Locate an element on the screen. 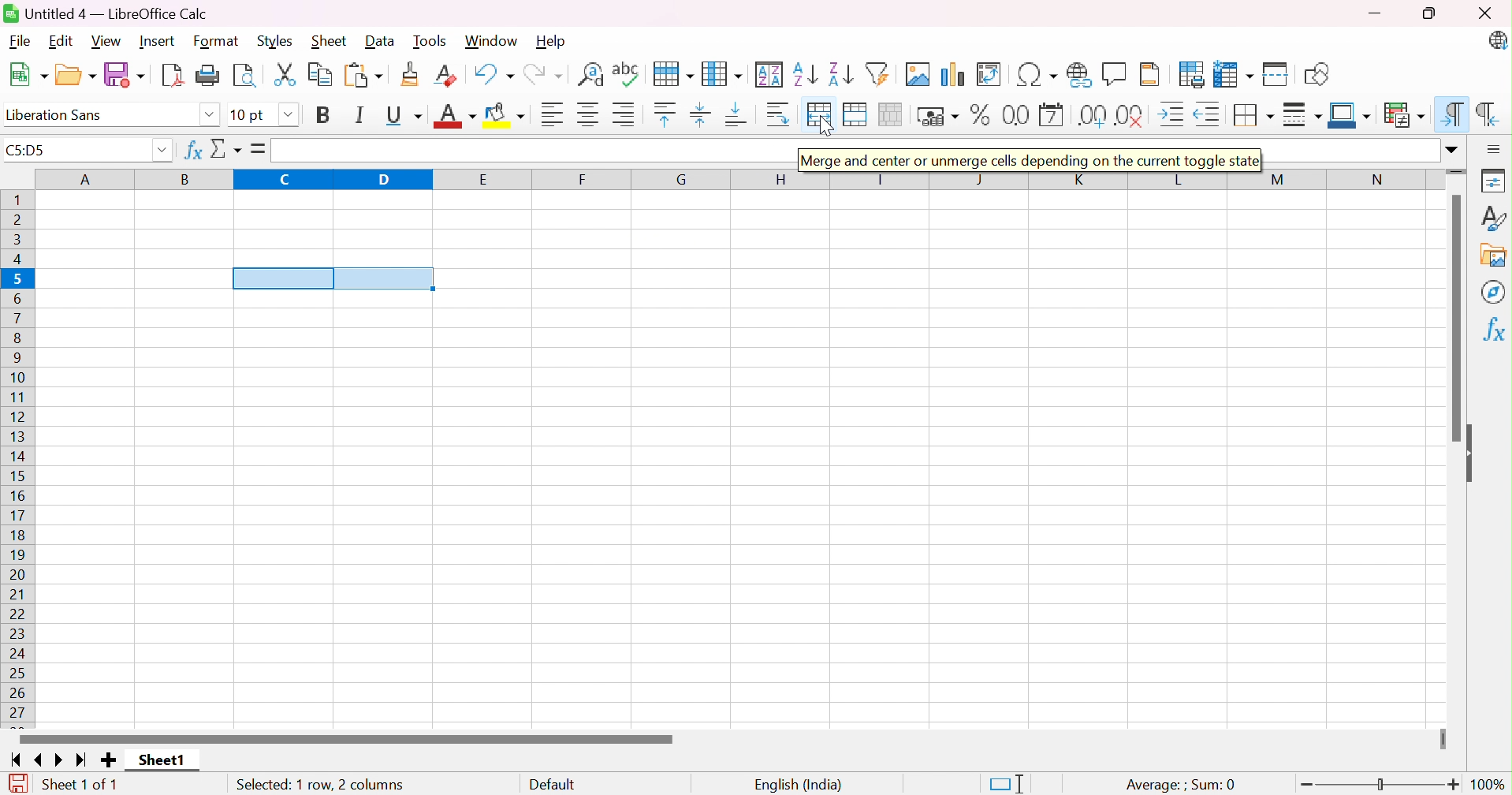 Image resolution: width=1512 pixels, height=795 pixels. Format as Date is located at coordinates (1052, 114).